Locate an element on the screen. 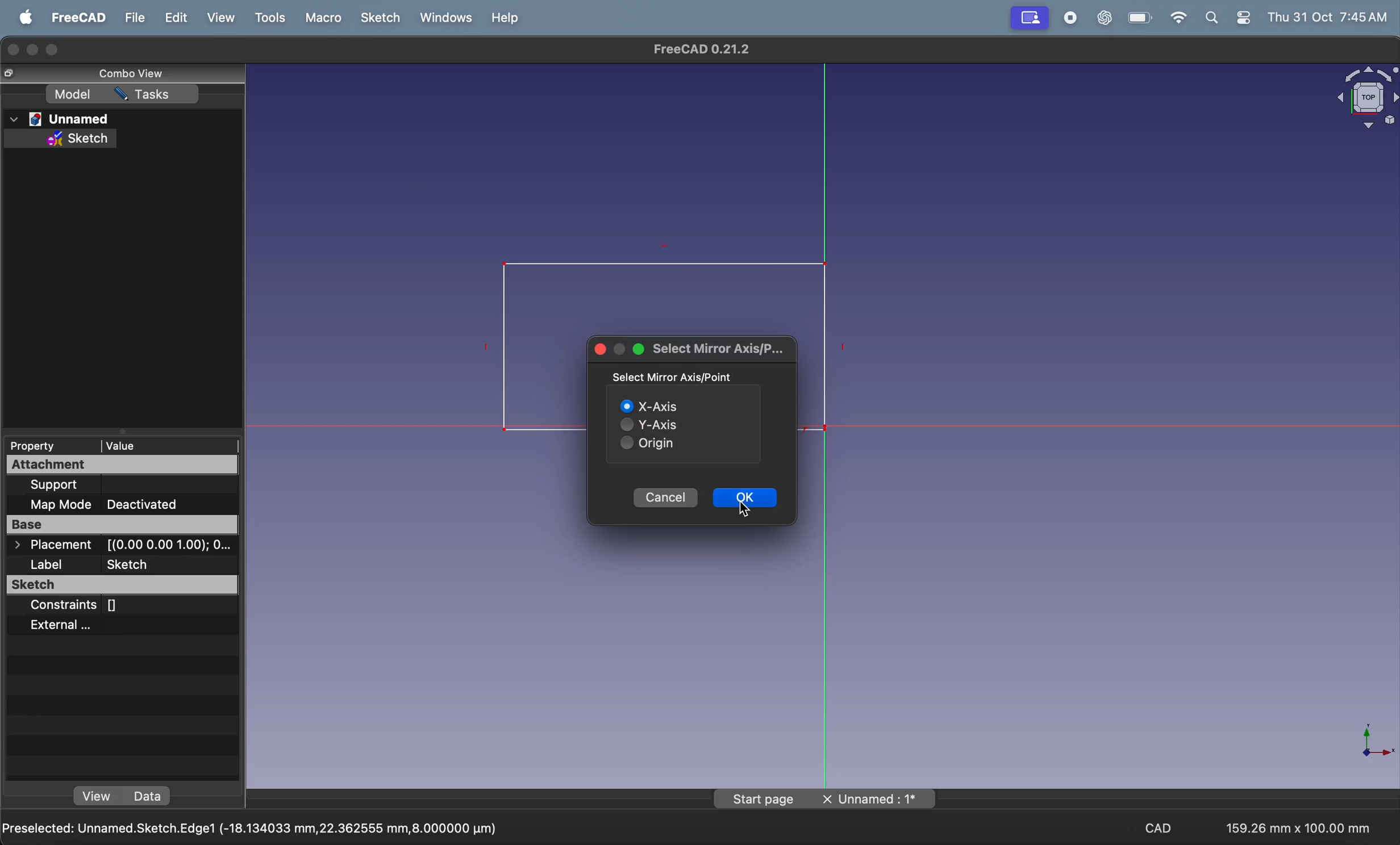  record is located at coordinates (1068, 18).